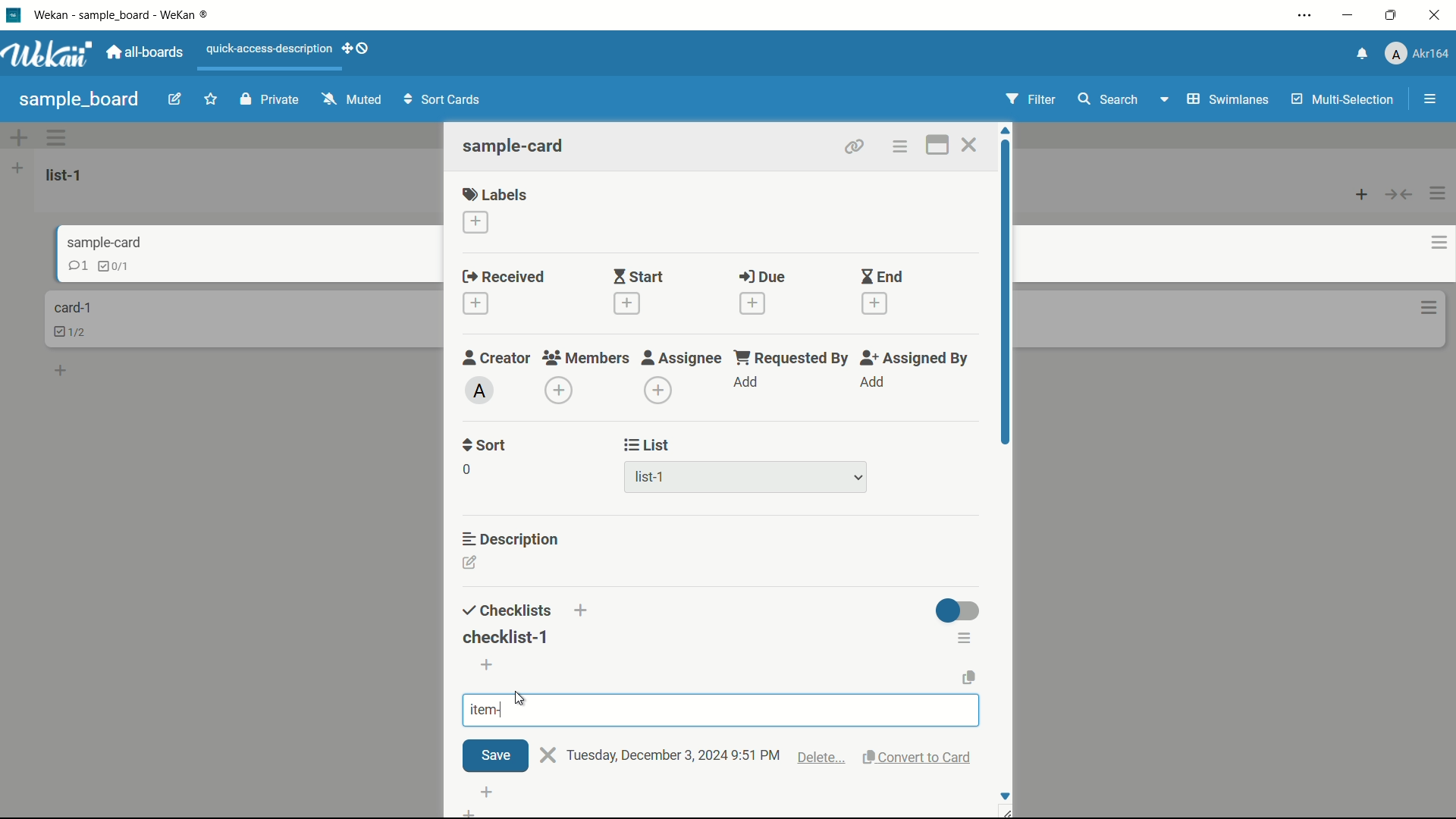 The width and height of the screenshot is (1456, 819). What do you see at coordinates (492, 790) in the screenshot?
I see `add` at bounding box center [492, 790].